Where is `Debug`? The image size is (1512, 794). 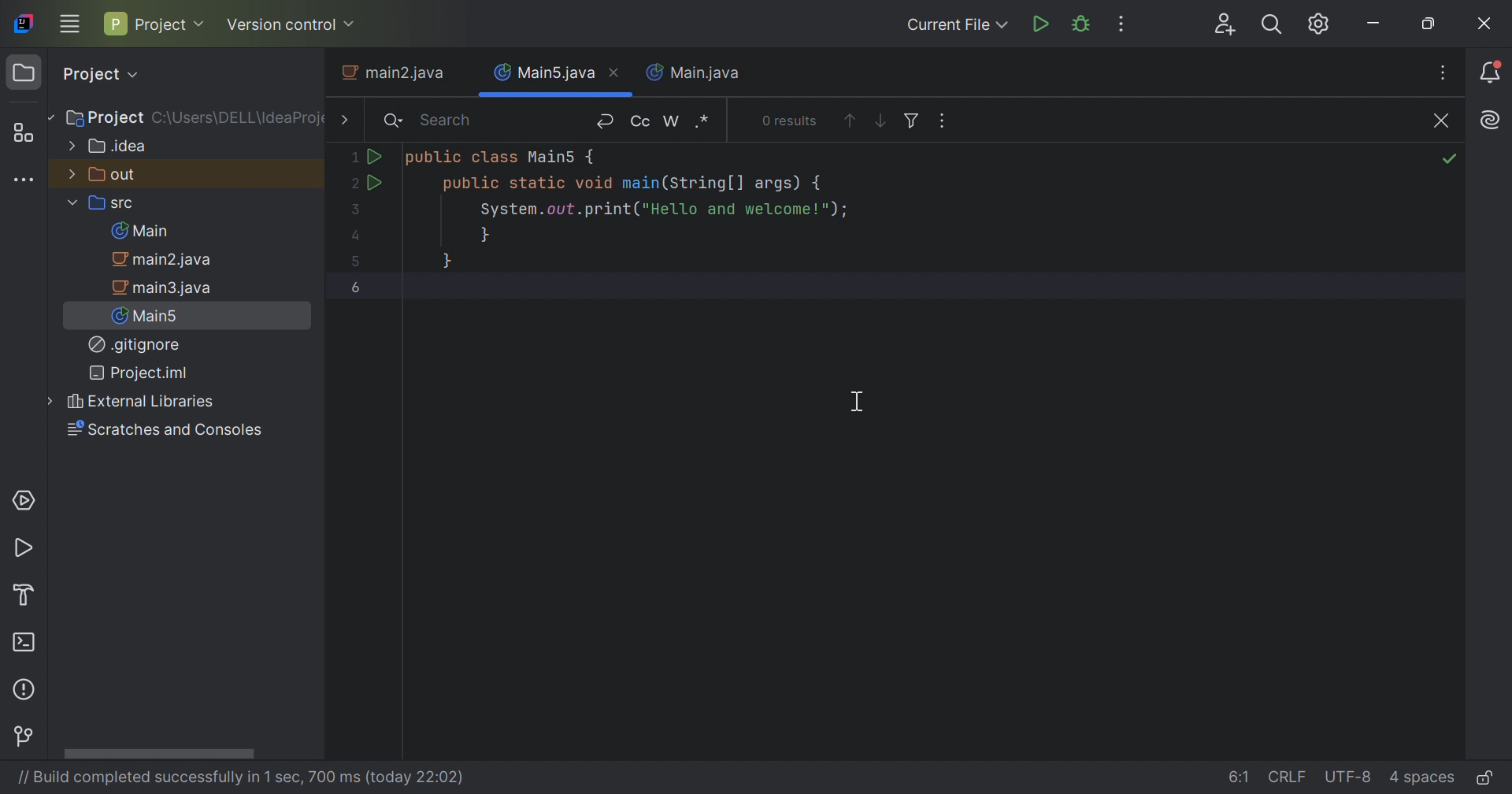
Debug is located at coordinates (1084, 24).